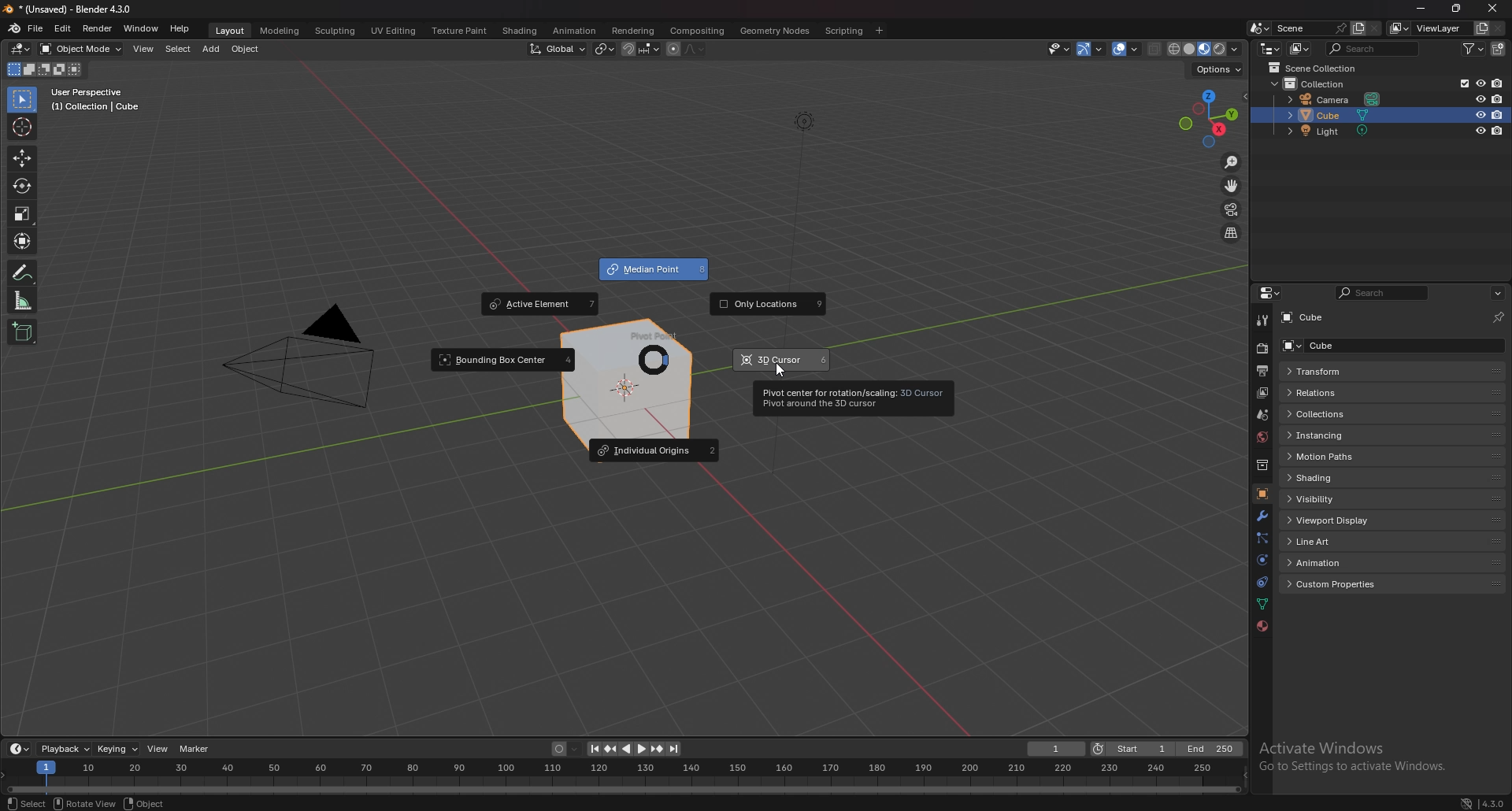  What do you see at coordinates (676, 749) in the screenshot?
I see `jump to endpoint` at bounding box center [676, 749].